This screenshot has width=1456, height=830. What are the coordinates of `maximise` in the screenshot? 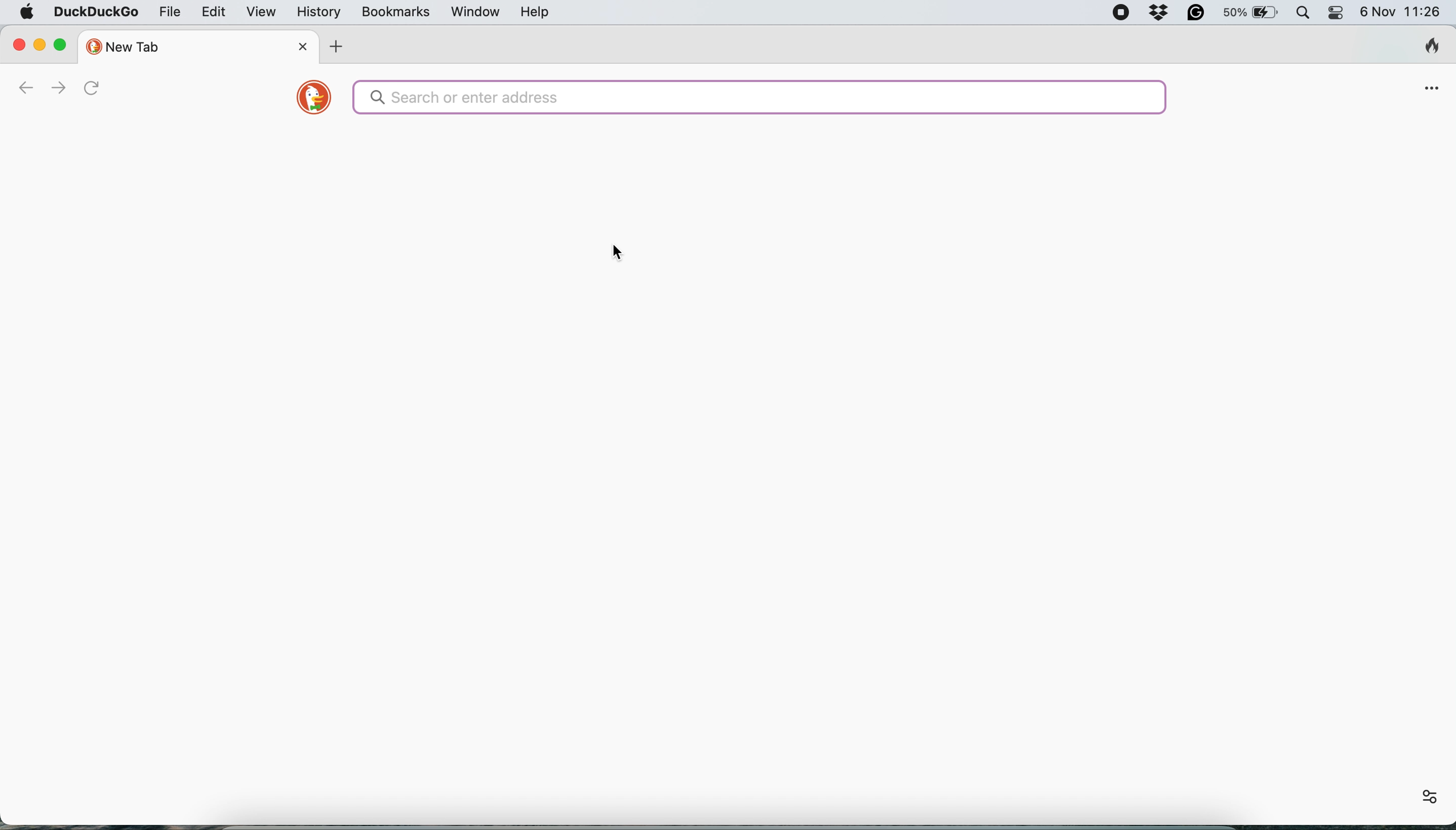 It's located at (61, 44).